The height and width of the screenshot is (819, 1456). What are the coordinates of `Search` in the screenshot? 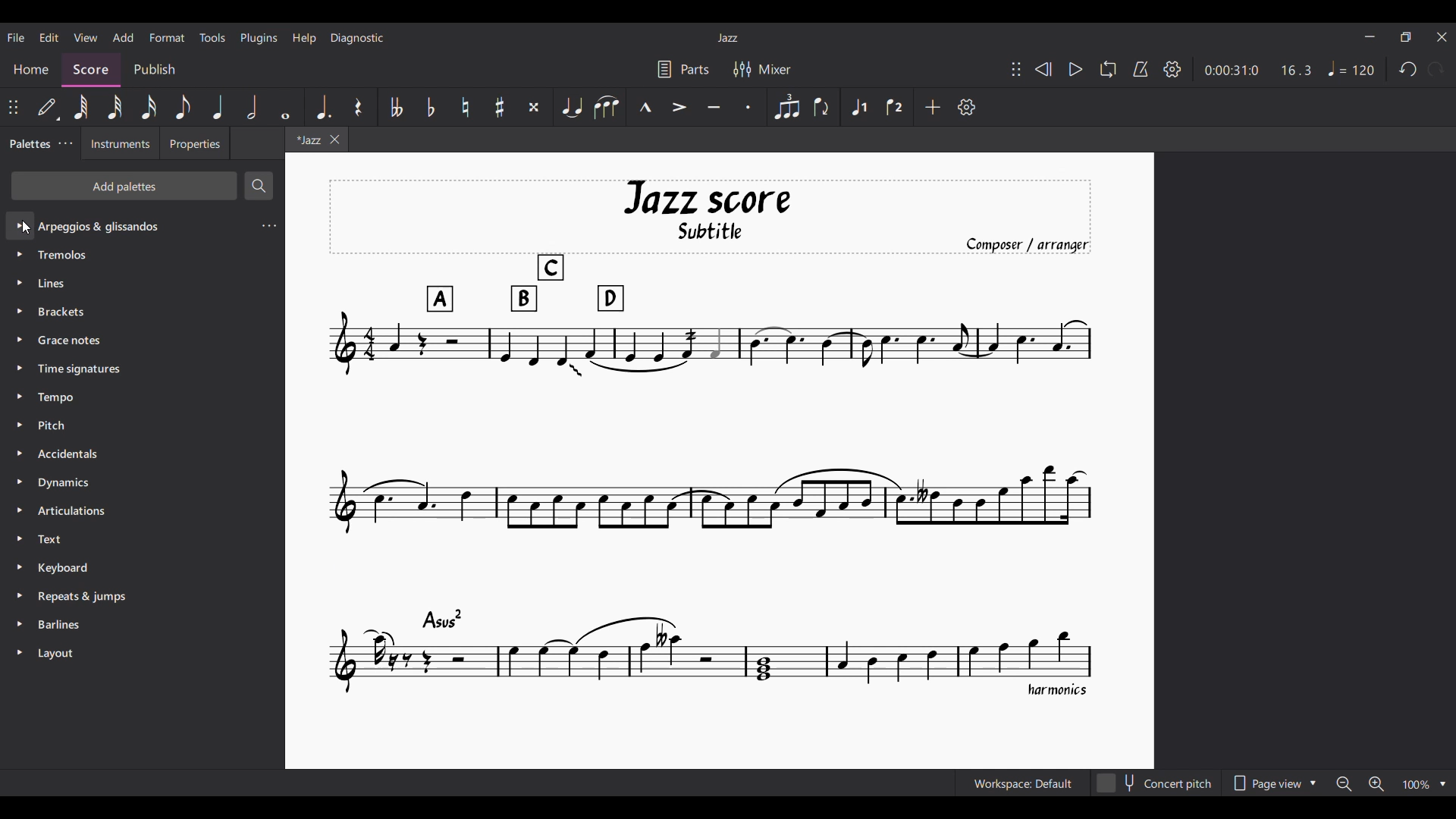 It's located at (259, 186).